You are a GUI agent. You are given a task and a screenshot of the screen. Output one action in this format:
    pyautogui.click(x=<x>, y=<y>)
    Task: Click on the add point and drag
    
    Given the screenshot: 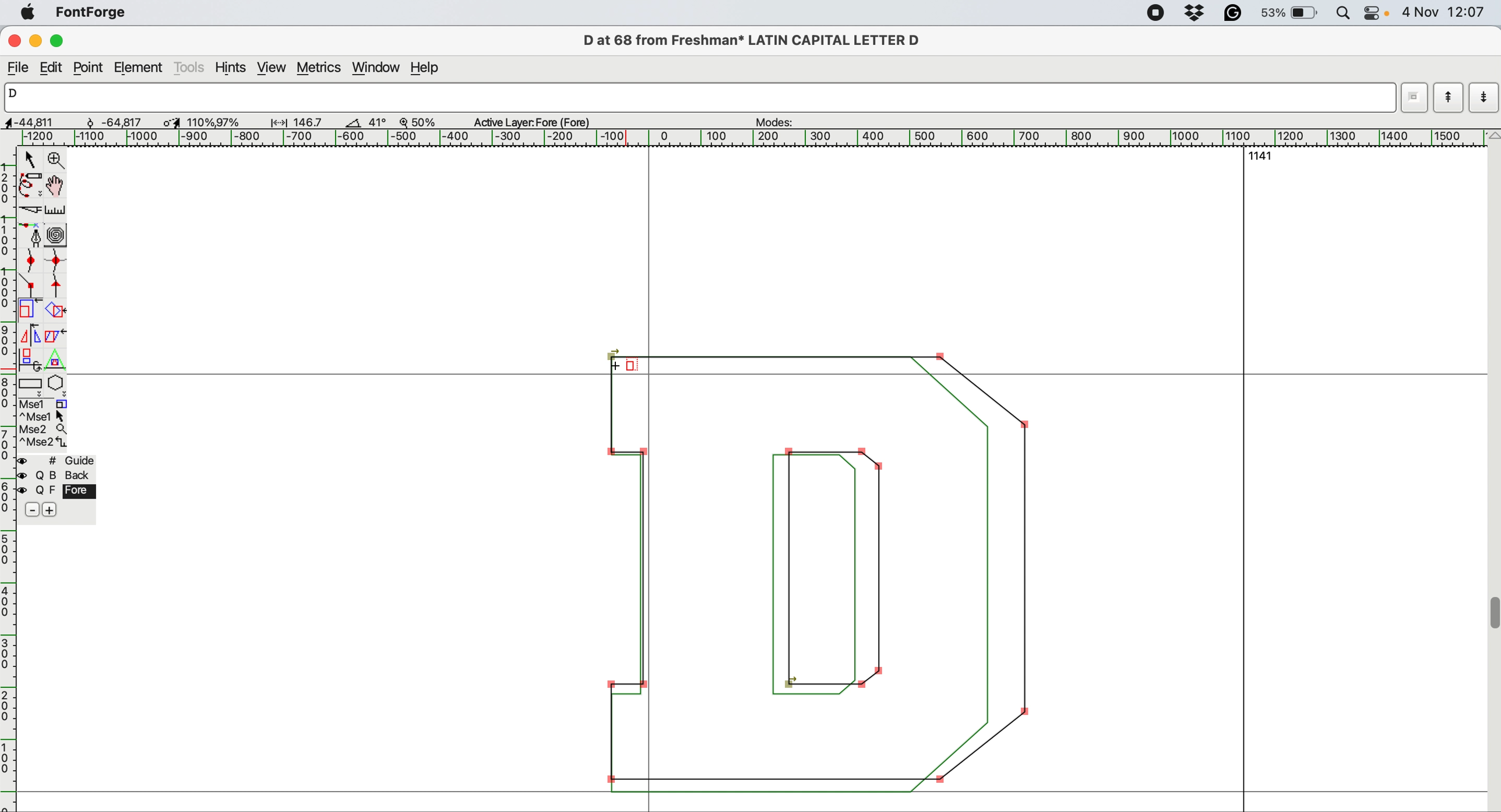 What is the action you would take?
    pyautogui.click(x=29, y=234)
    